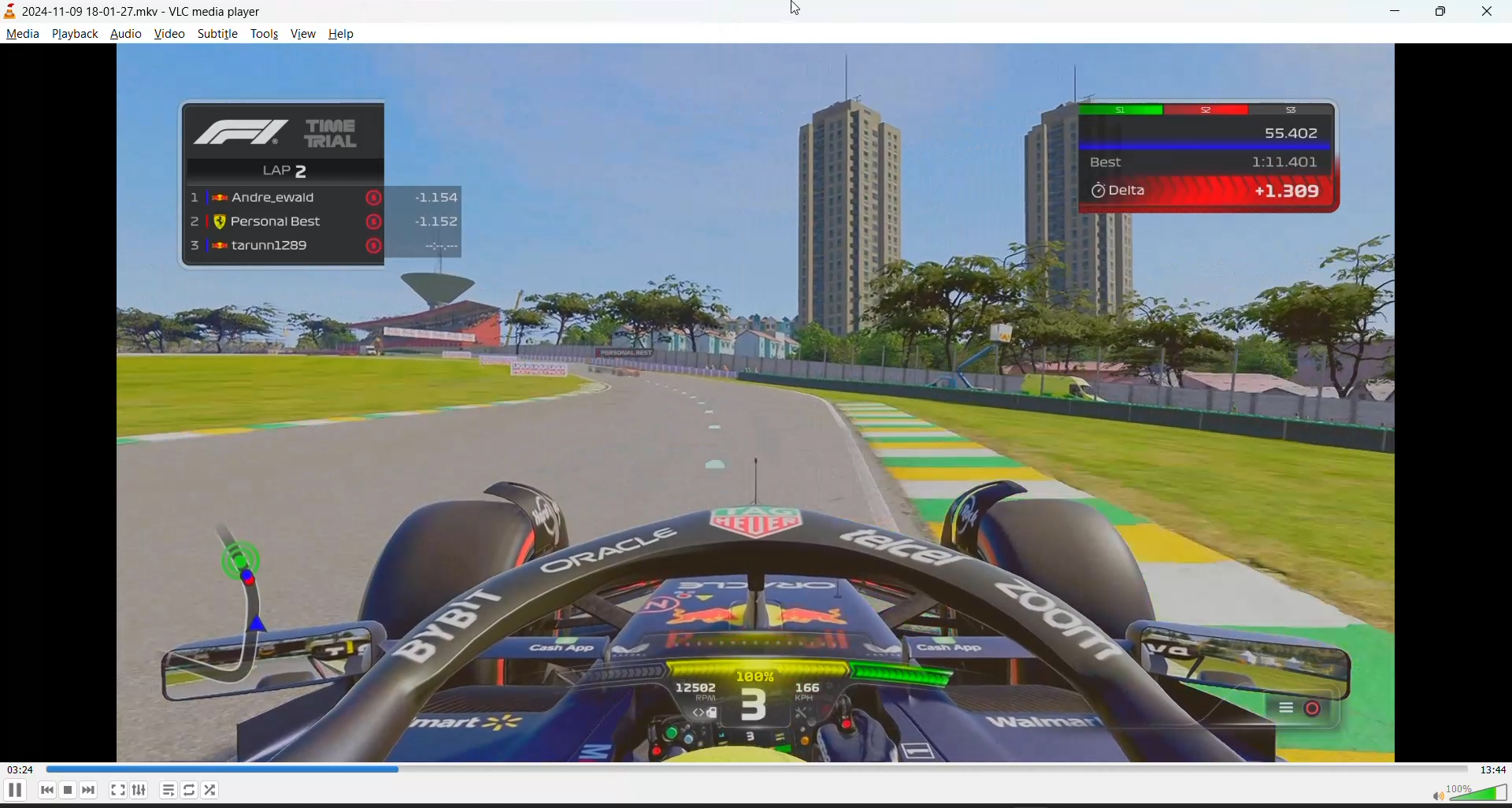 The image size is (1512, 808). What do you see at coordinates (303, 32) in the screenshot?
I see `view` at bounding box center [303, 32].